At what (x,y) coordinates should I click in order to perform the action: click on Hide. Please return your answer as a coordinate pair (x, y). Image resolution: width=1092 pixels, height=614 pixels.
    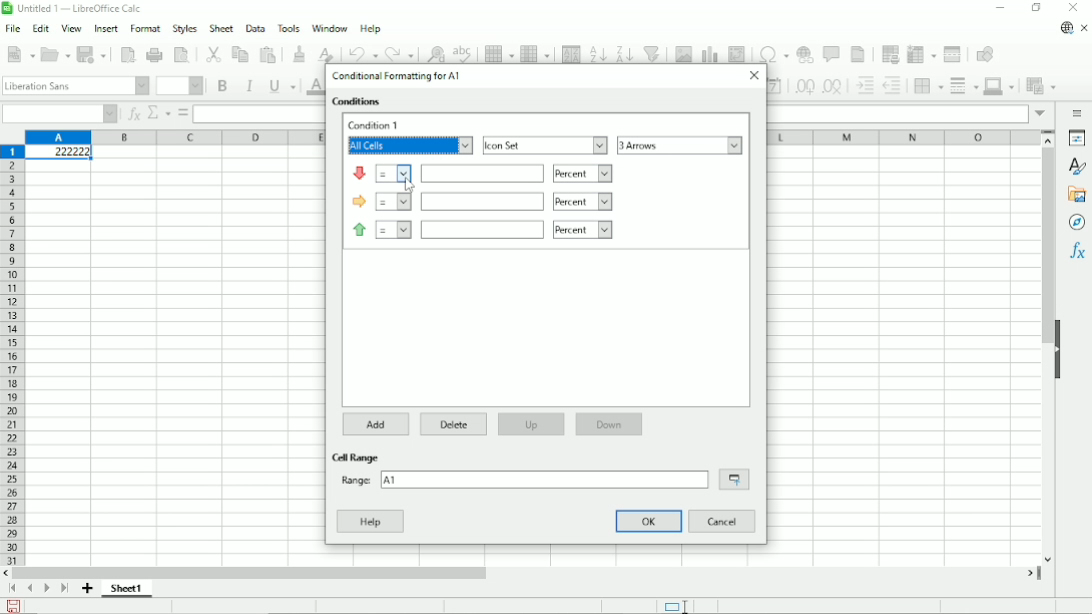
    Looking at the image, I should click on (1057, 347).